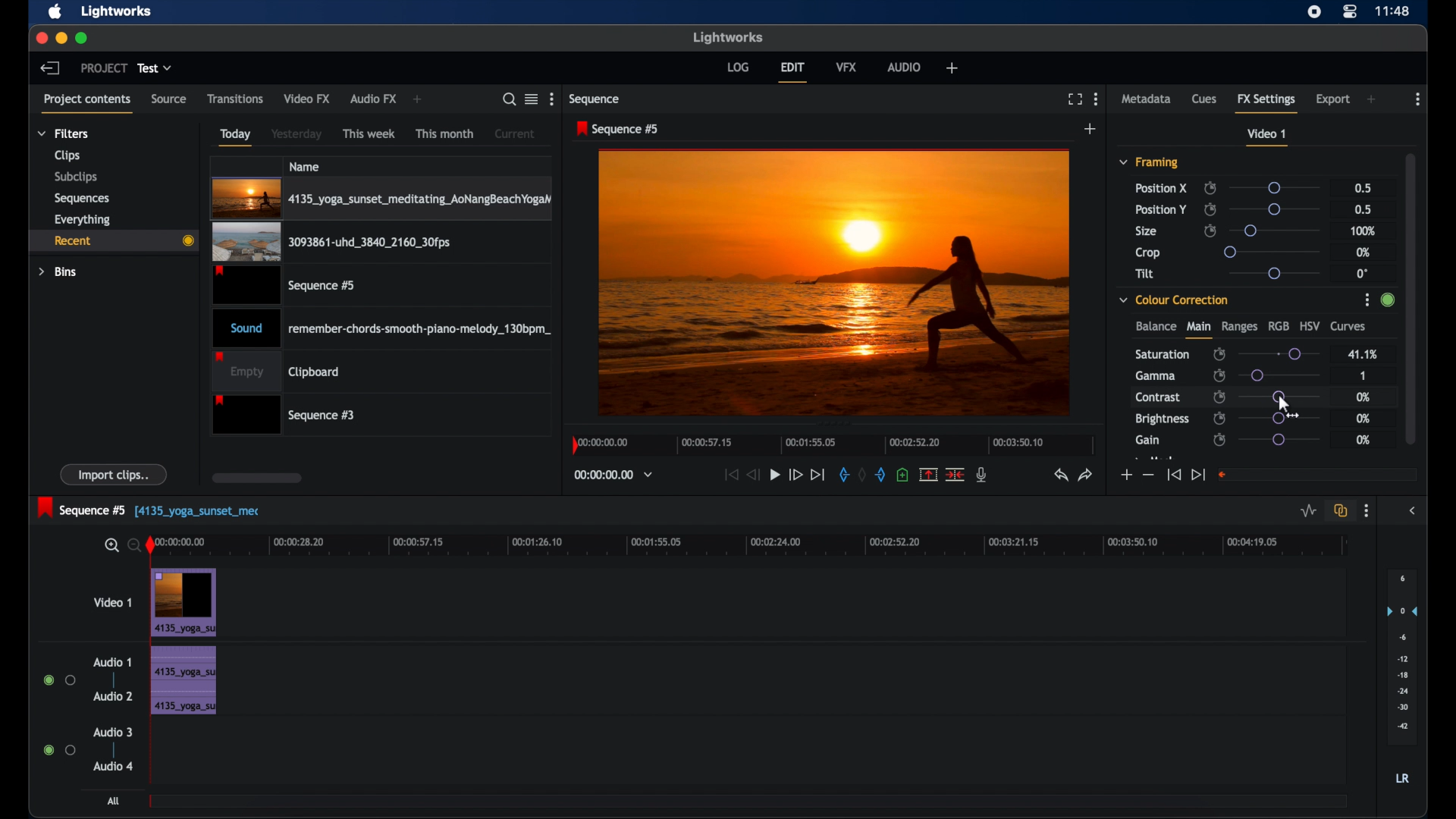 This screenshot has width=1456, height=819. Describe the element at coordinates (419, 100) in the screenshot. I see `add` at that location.